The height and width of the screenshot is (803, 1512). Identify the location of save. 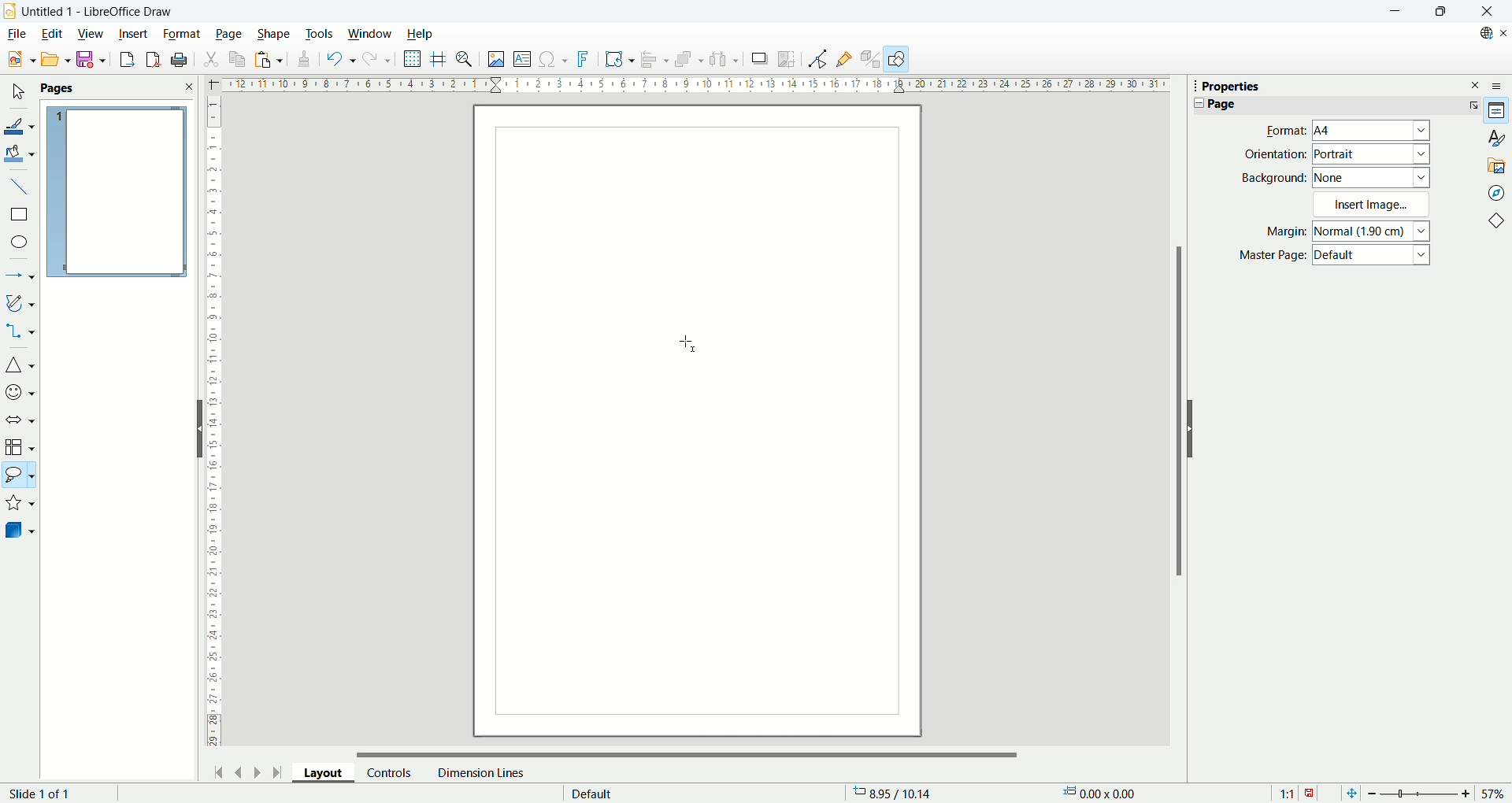
(91, 60).